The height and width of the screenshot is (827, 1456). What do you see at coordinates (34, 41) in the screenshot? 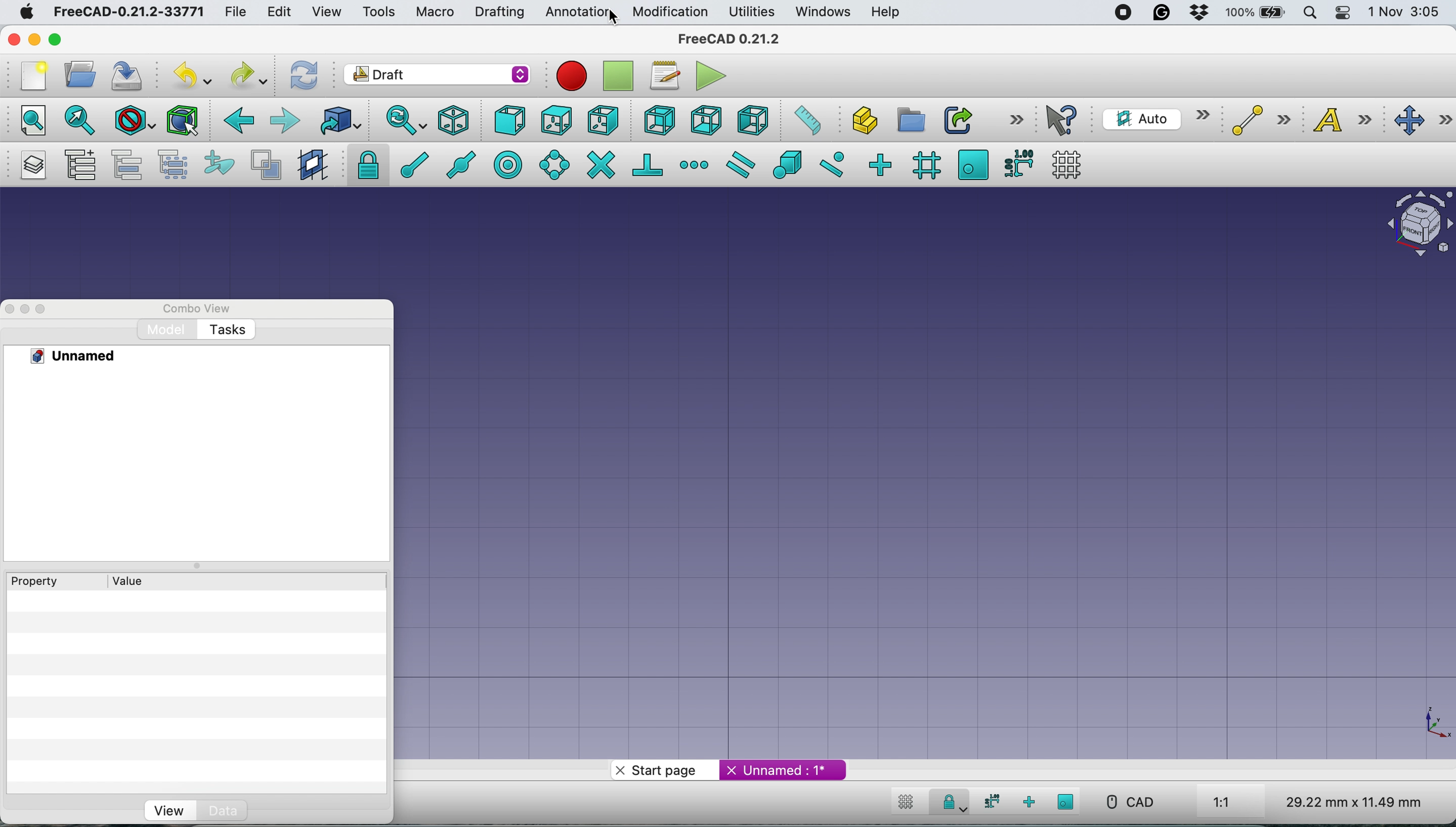
I see `minimise` at bounding box center [34, 41].